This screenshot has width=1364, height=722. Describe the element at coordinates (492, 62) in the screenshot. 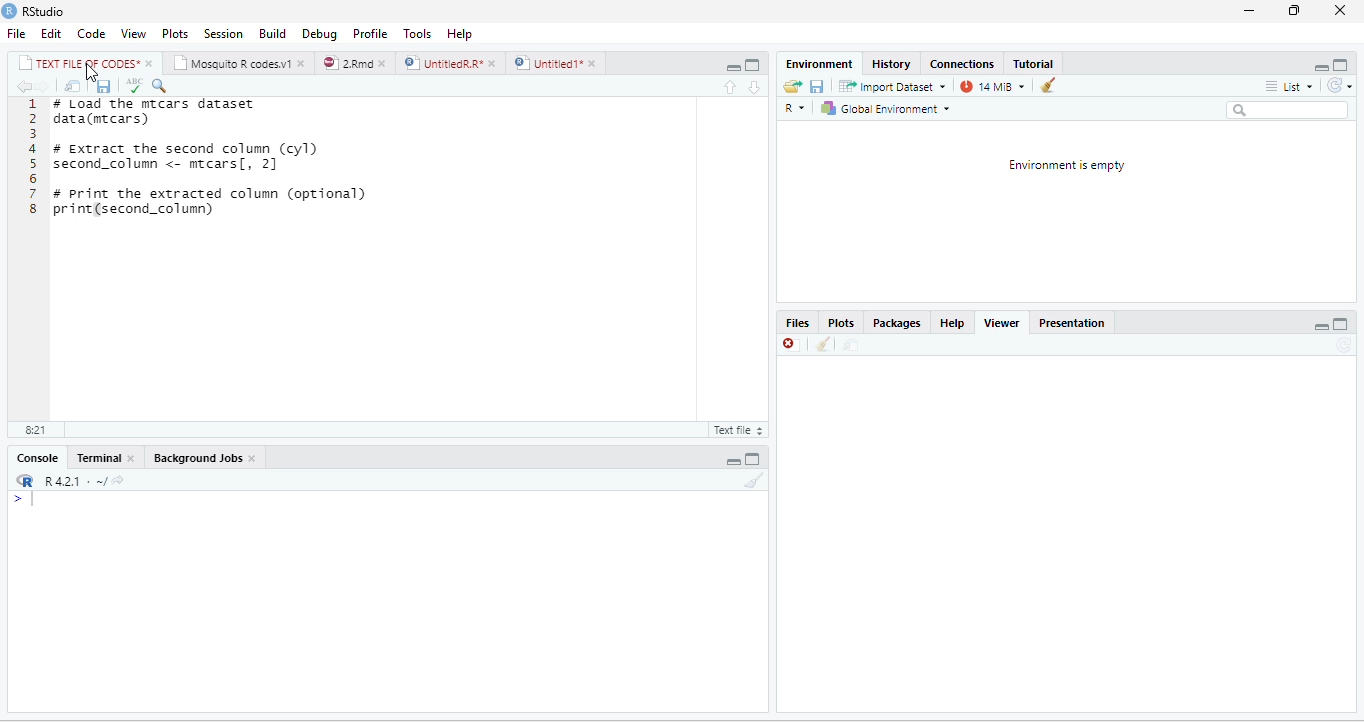

I see `close` at that location.